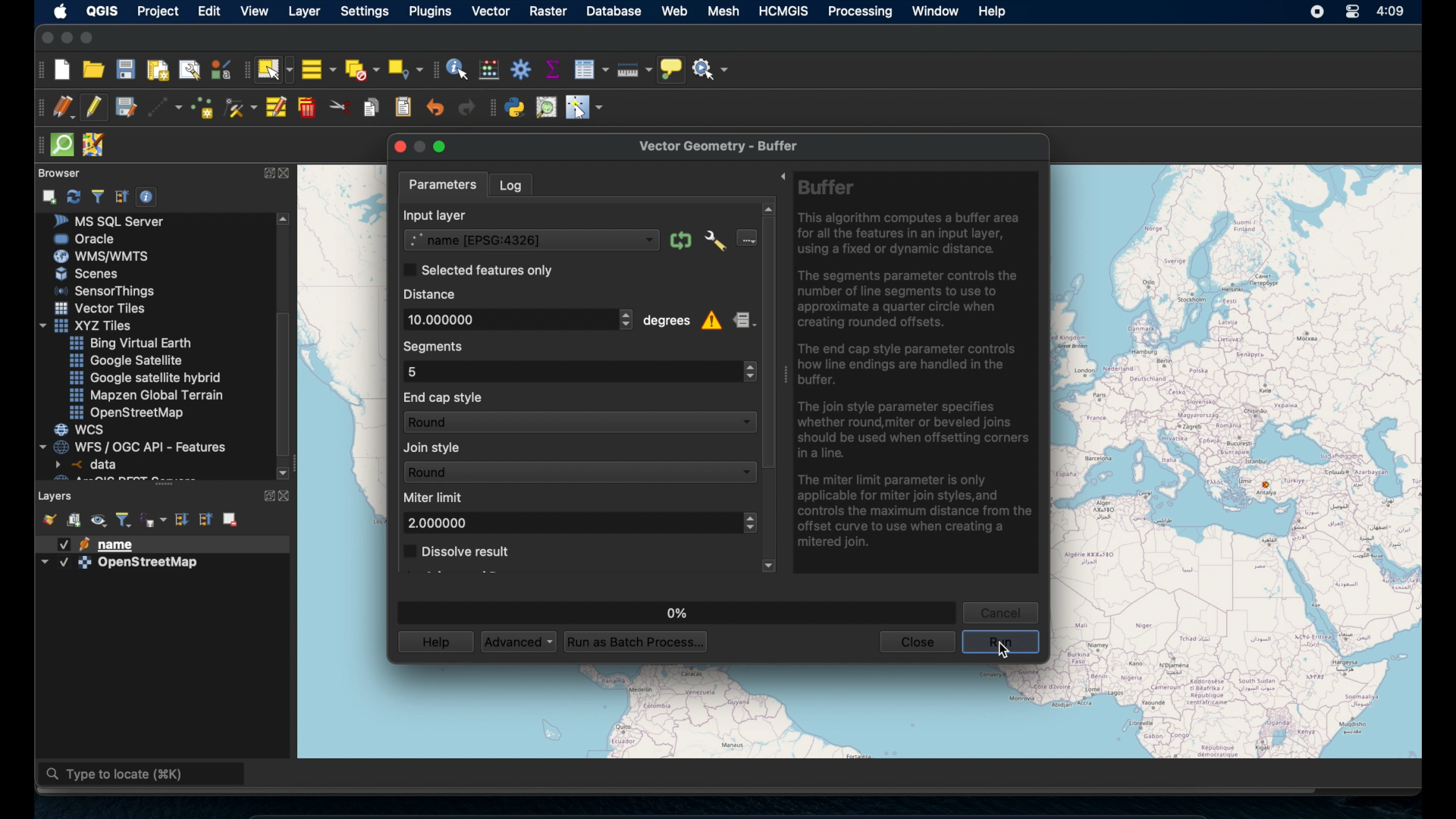 The height and width of the screenshot is (819, 1456). I want to click on osm place search, so click(548, 107).